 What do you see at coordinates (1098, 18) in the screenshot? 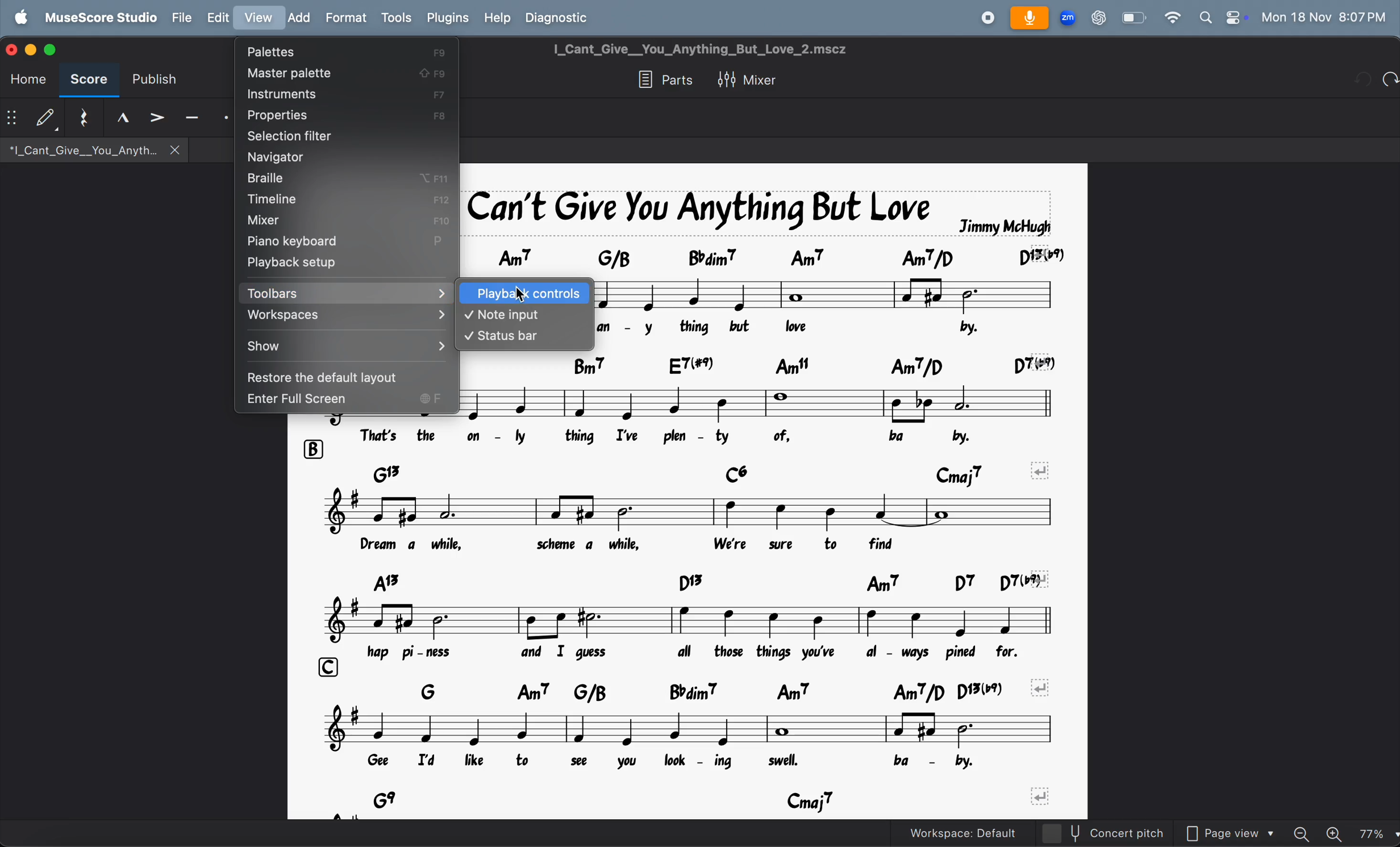
I see `chatgpt` at bounding box center [1098, 18].